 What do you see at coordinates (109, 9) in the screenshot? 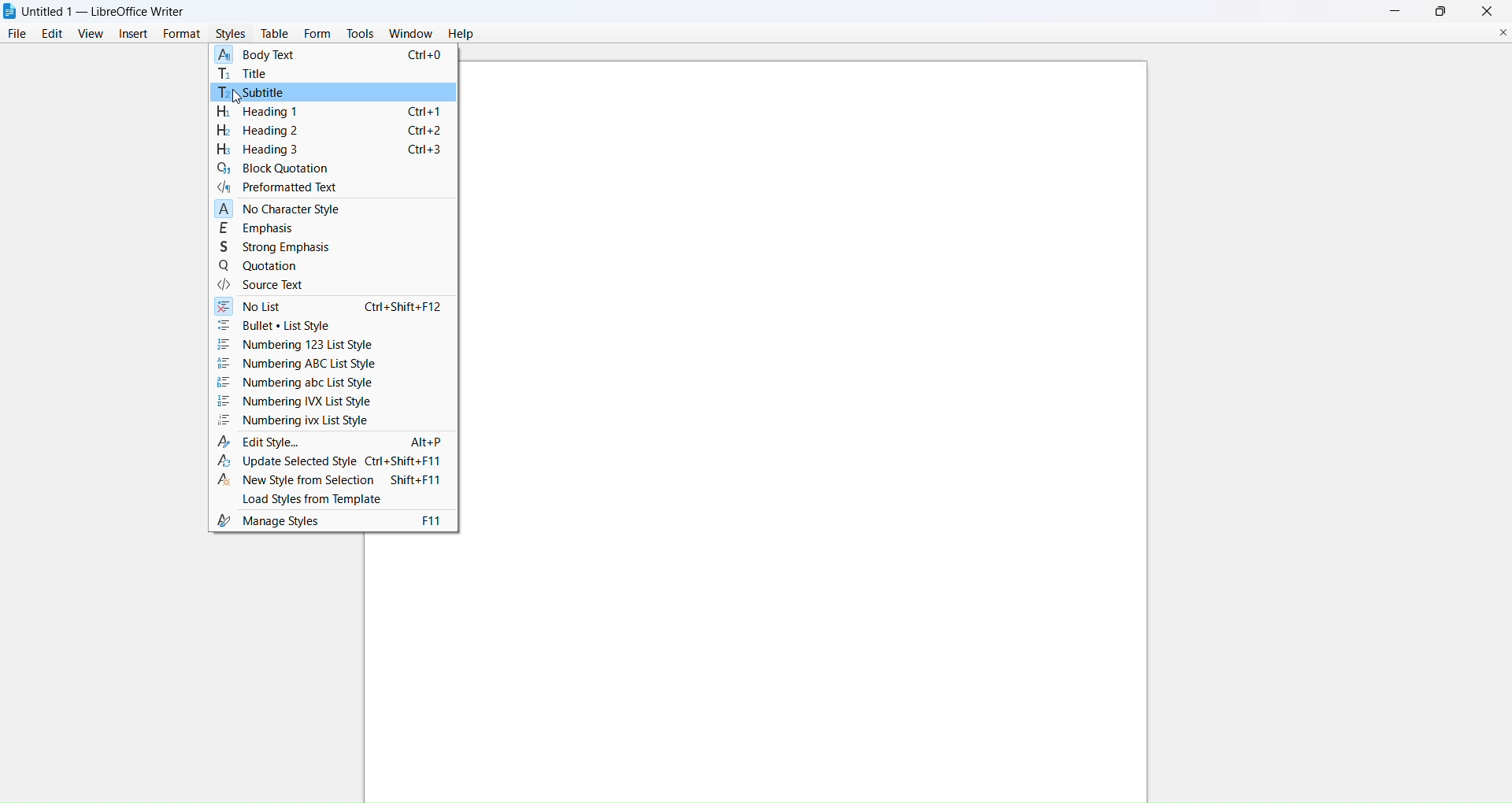
I see `Untitled 1 — LibreOffice Writer` at bounding box center [109, 9].